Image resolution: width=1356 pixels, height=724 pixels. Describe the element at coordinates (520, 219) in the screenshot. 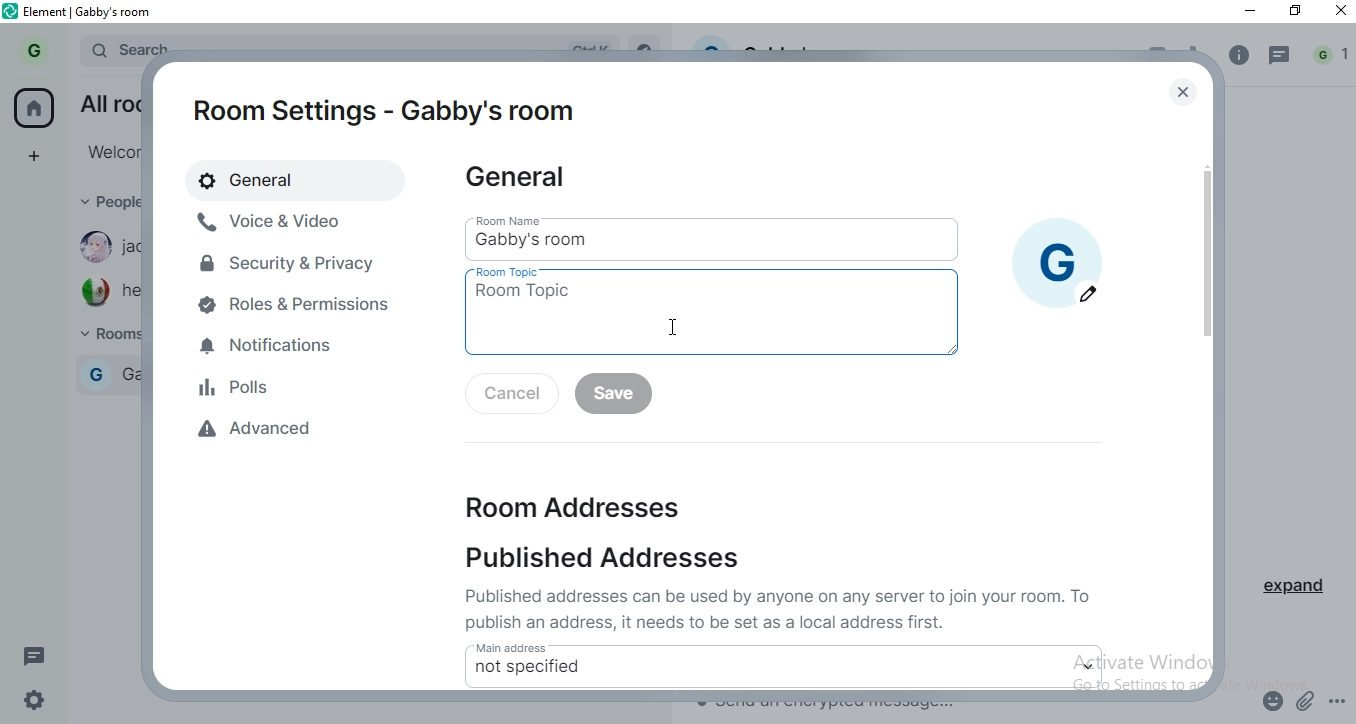

I see `room name` at that location.